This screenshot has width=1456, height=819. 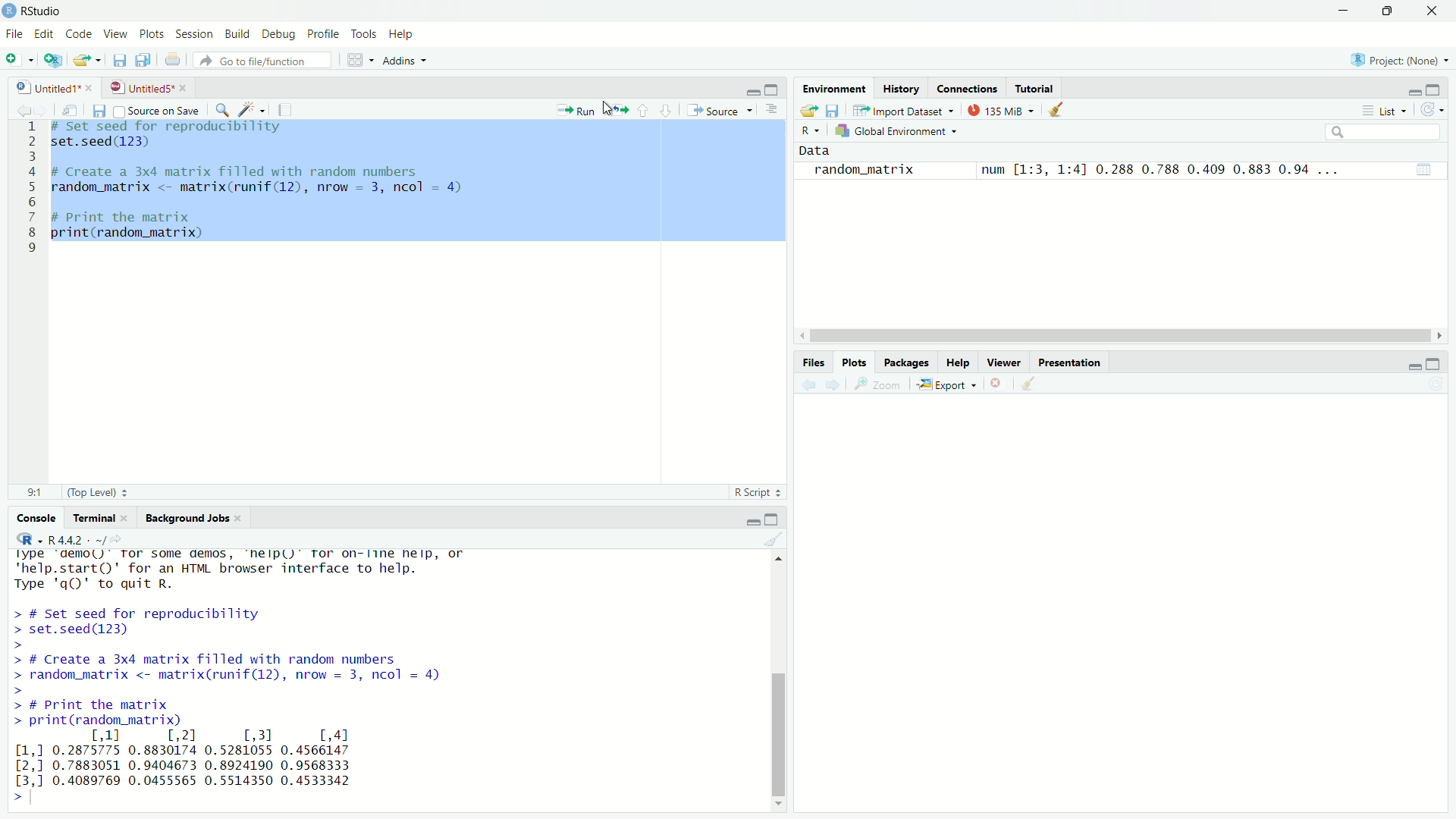 What do you see at coordinates (1034, 384) in the screenshot?
I see `clear` at bounding box center [1034, 384].